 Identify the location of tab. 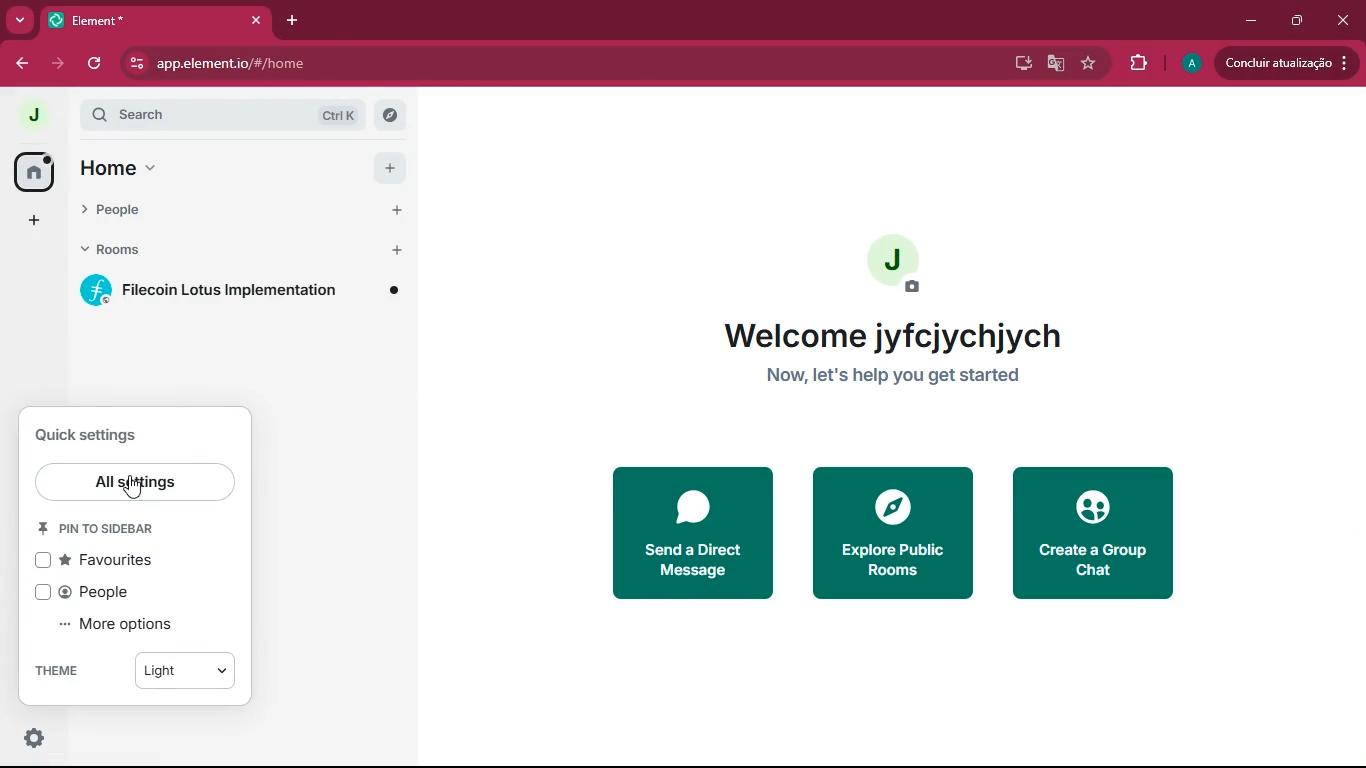
(157, 20).